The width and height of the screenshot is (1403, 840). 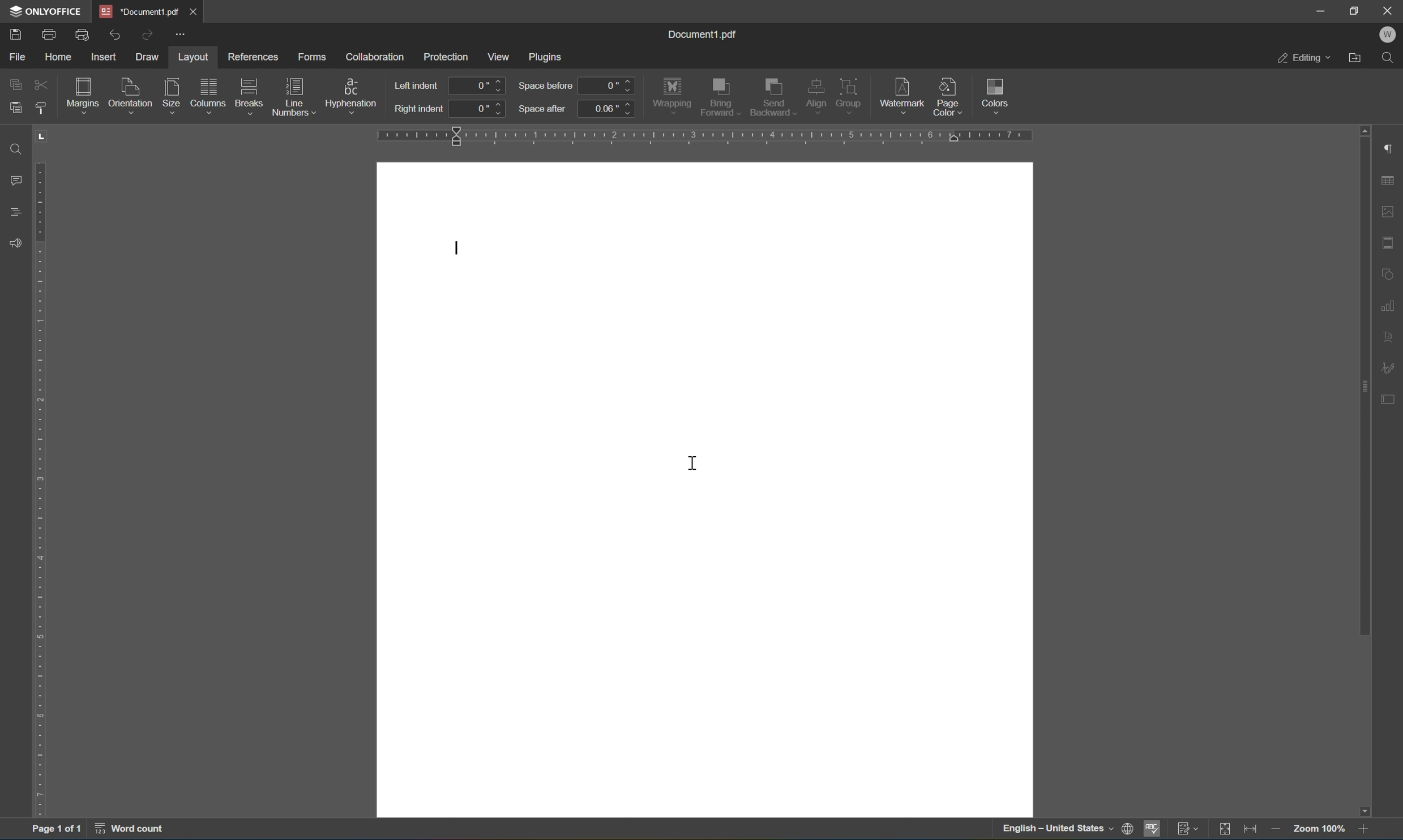 What do you see at coordinates (607, 108) in the screenshot?
I see `0.06` at bounding box center [607, 108].